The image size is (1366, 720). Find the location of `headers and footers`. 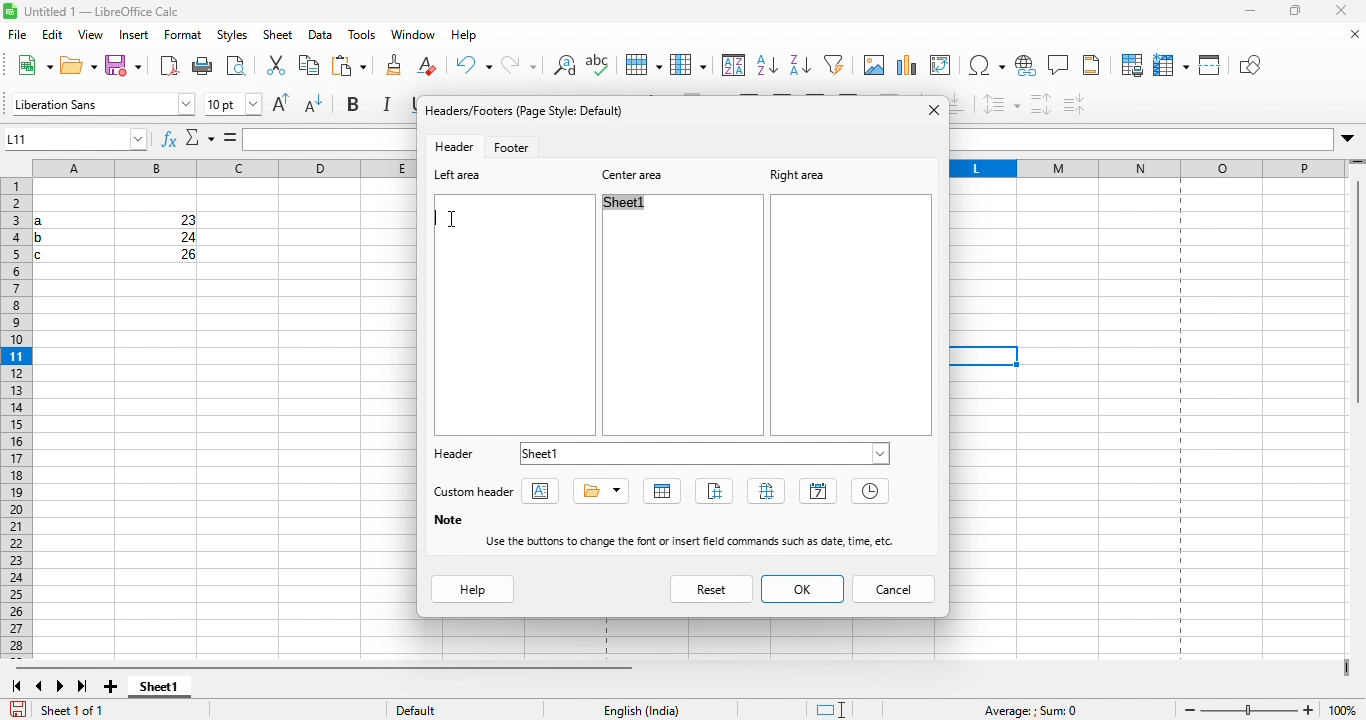

headers and footers is located at coordinates (1095, 67).